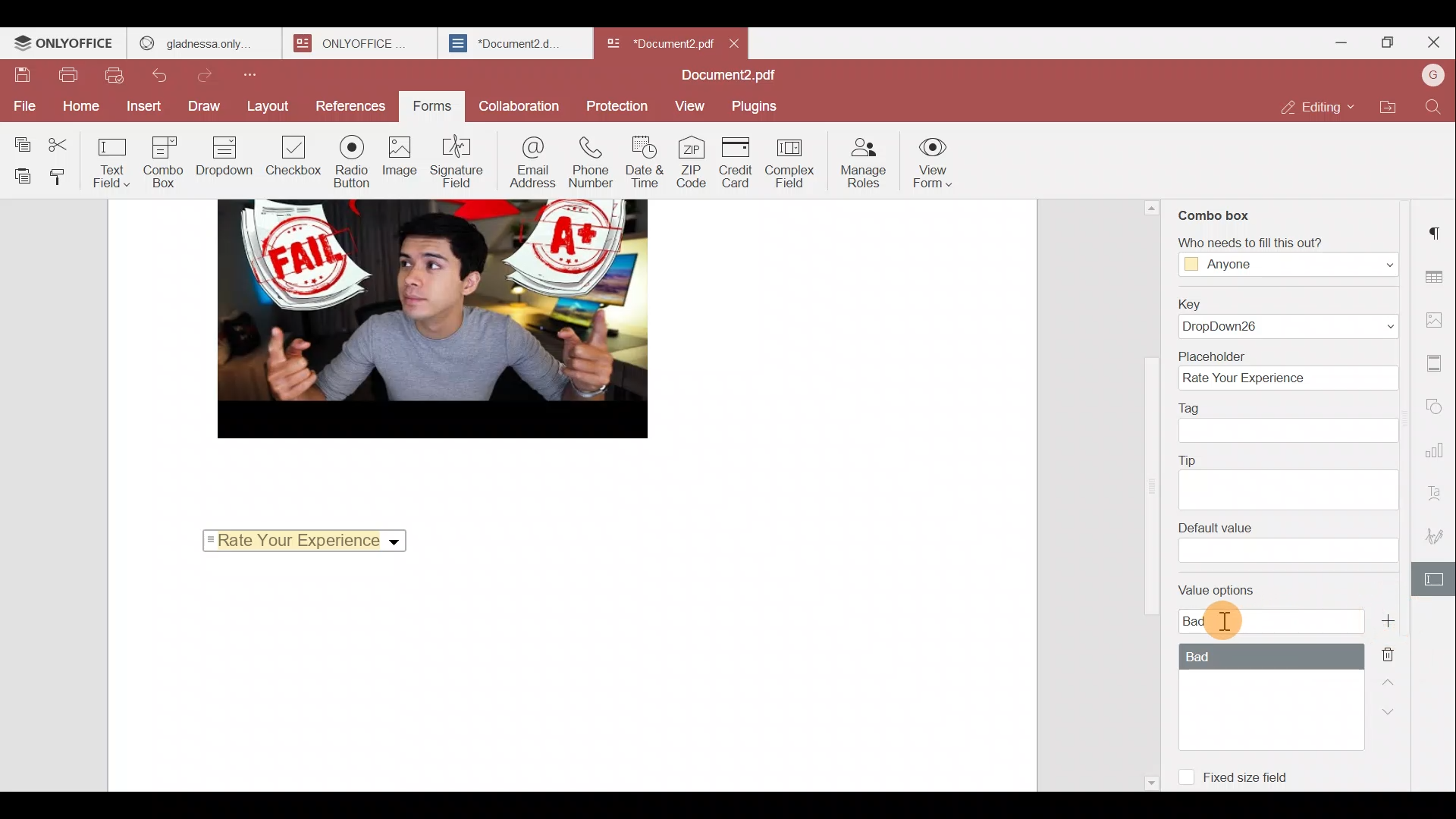  I want to click on References, so click(347, 104).